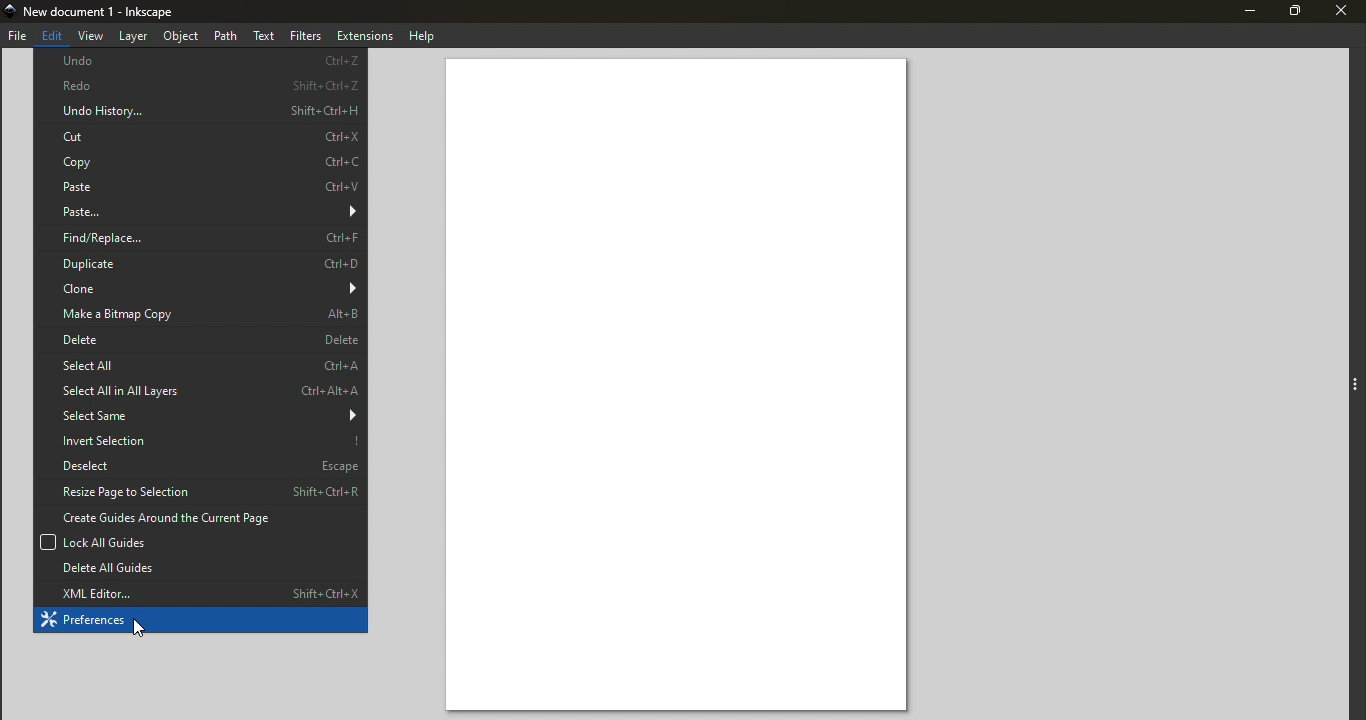  Describe the element at coordinates (199, 111) in the screenshot. I see `Undo history` at that location.